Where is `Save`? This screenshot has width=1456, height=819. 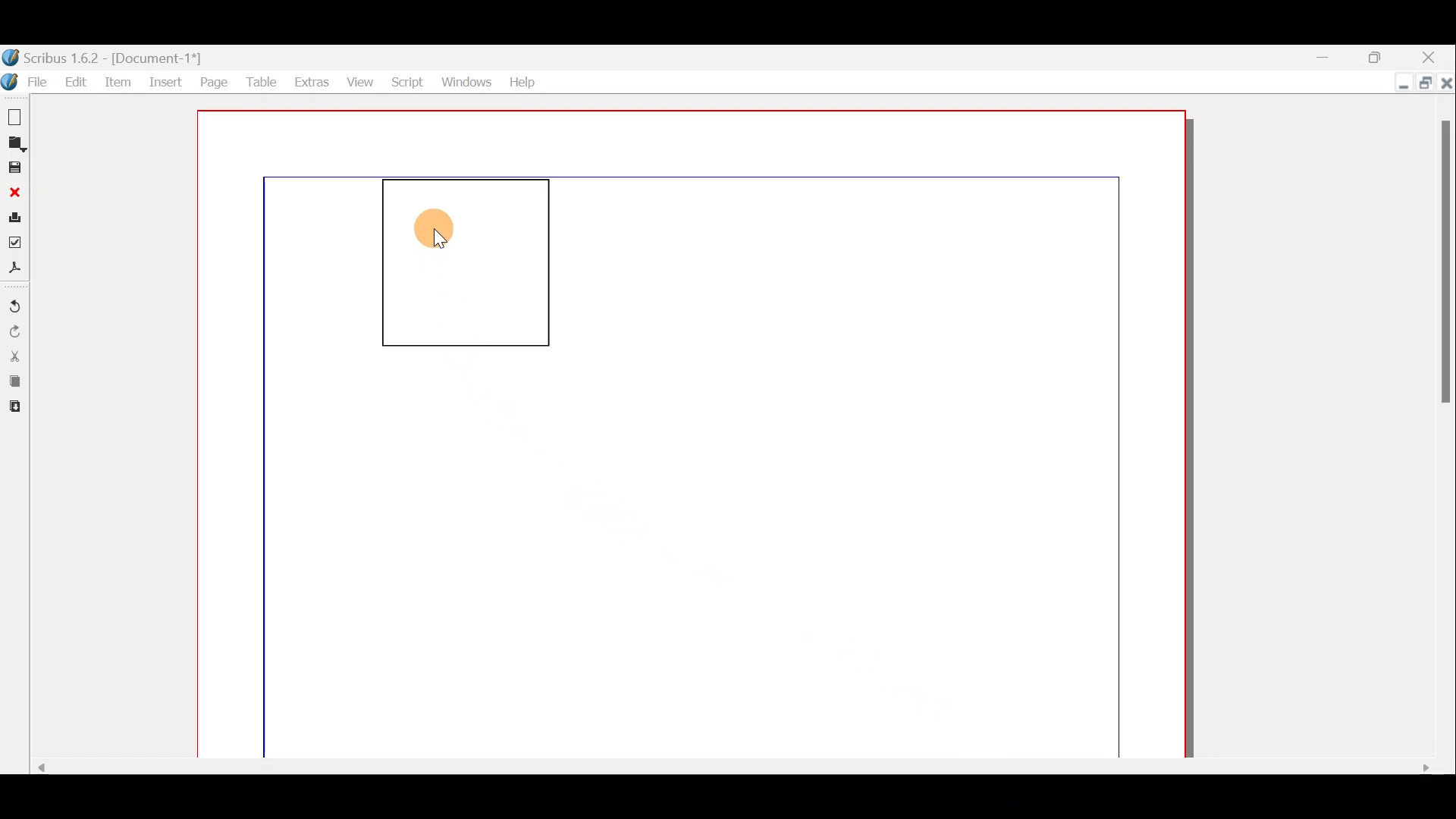 Save is located at coordinates (14, 168).